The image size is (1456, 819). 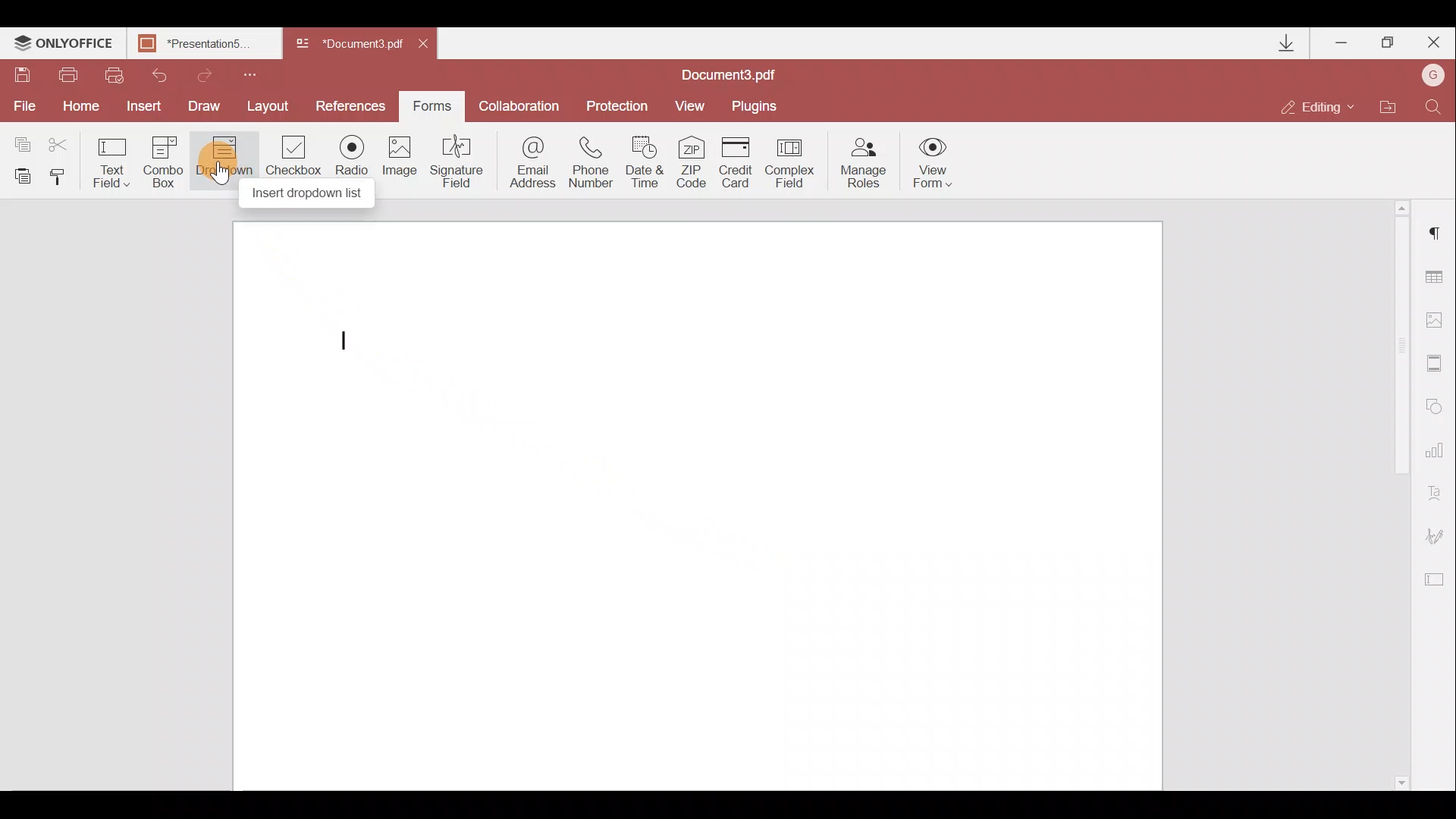 What do you see at coordinates (613, 108) in the screenshot?
I see `Protection` at bounding box center [613, 108].